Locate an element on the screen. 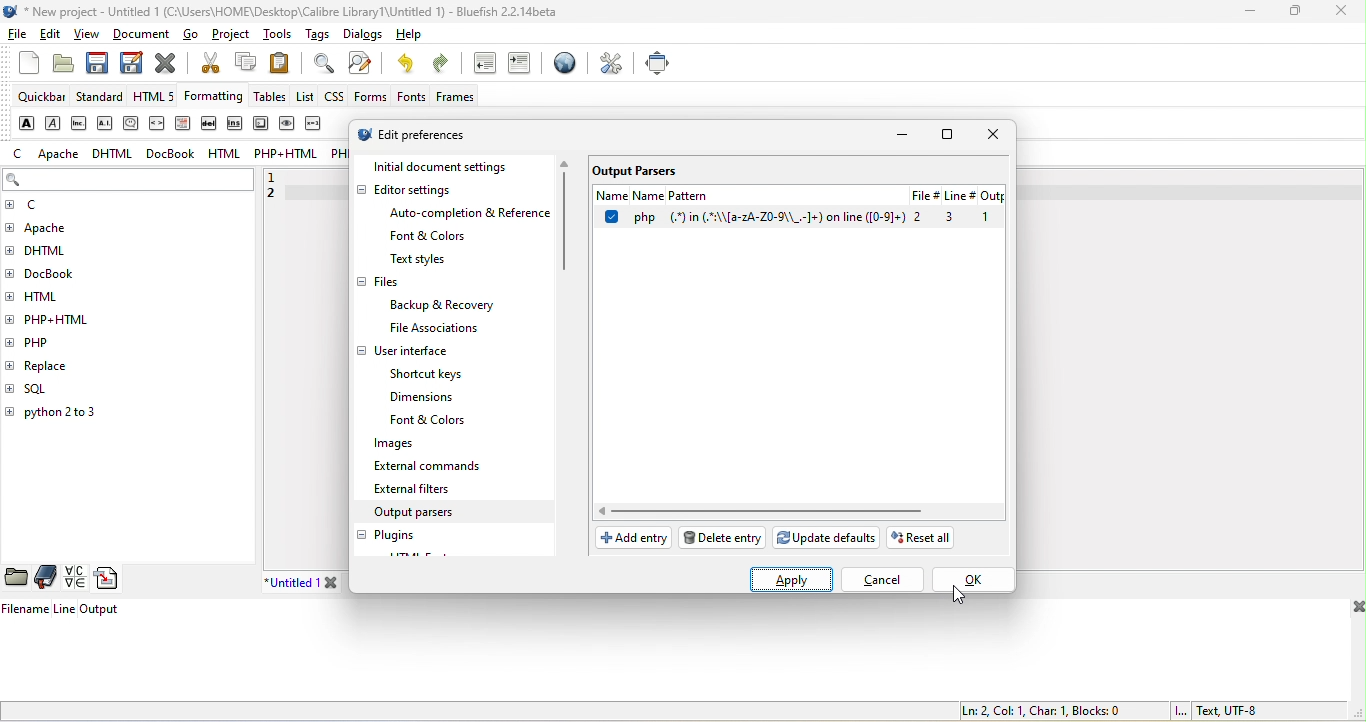  output is located at coordinates (994, 196).